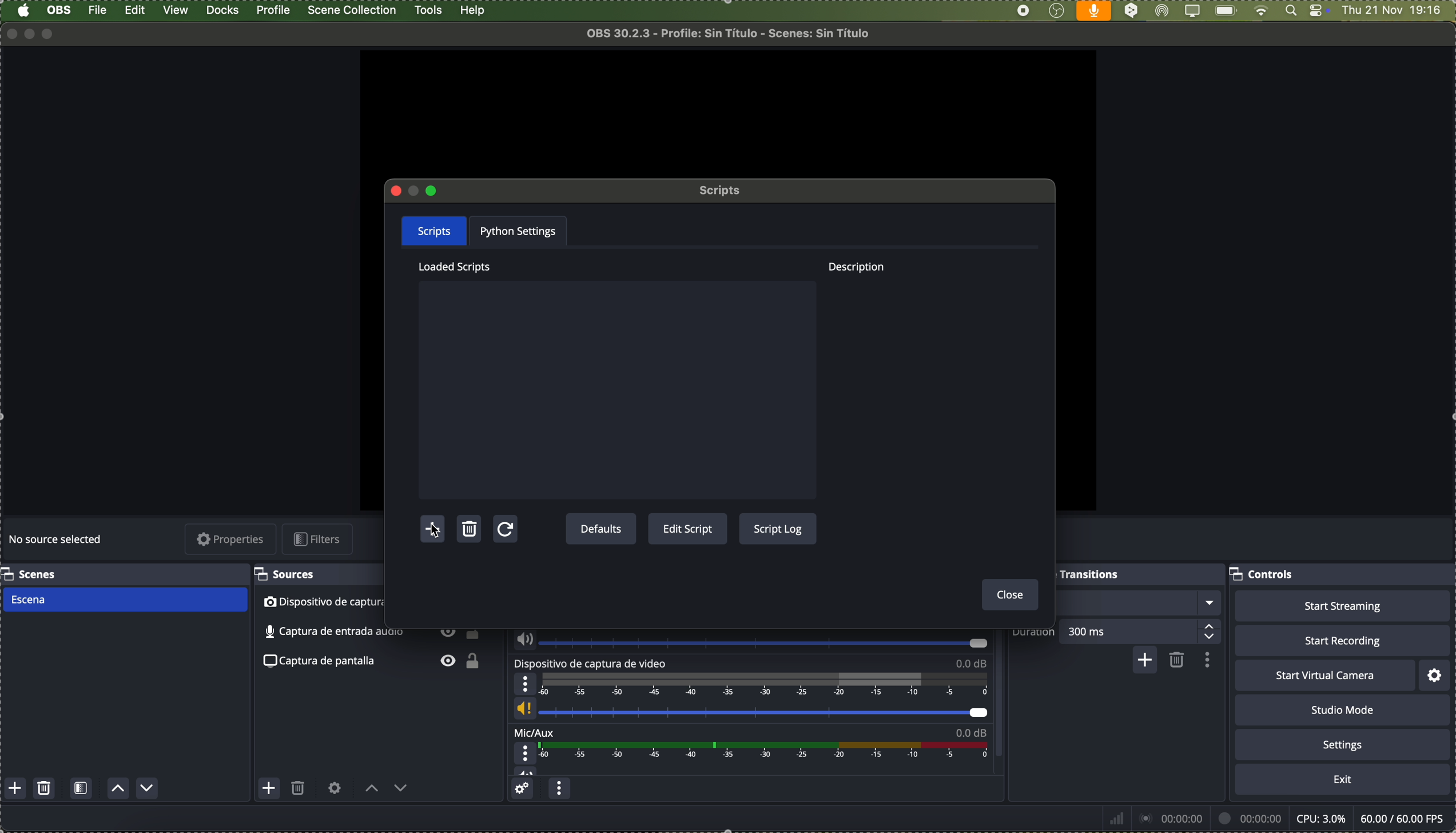  What do you see at coordinates (600, 530) in the screenshot?
I see `defaults` at bounding box center [600, 530].